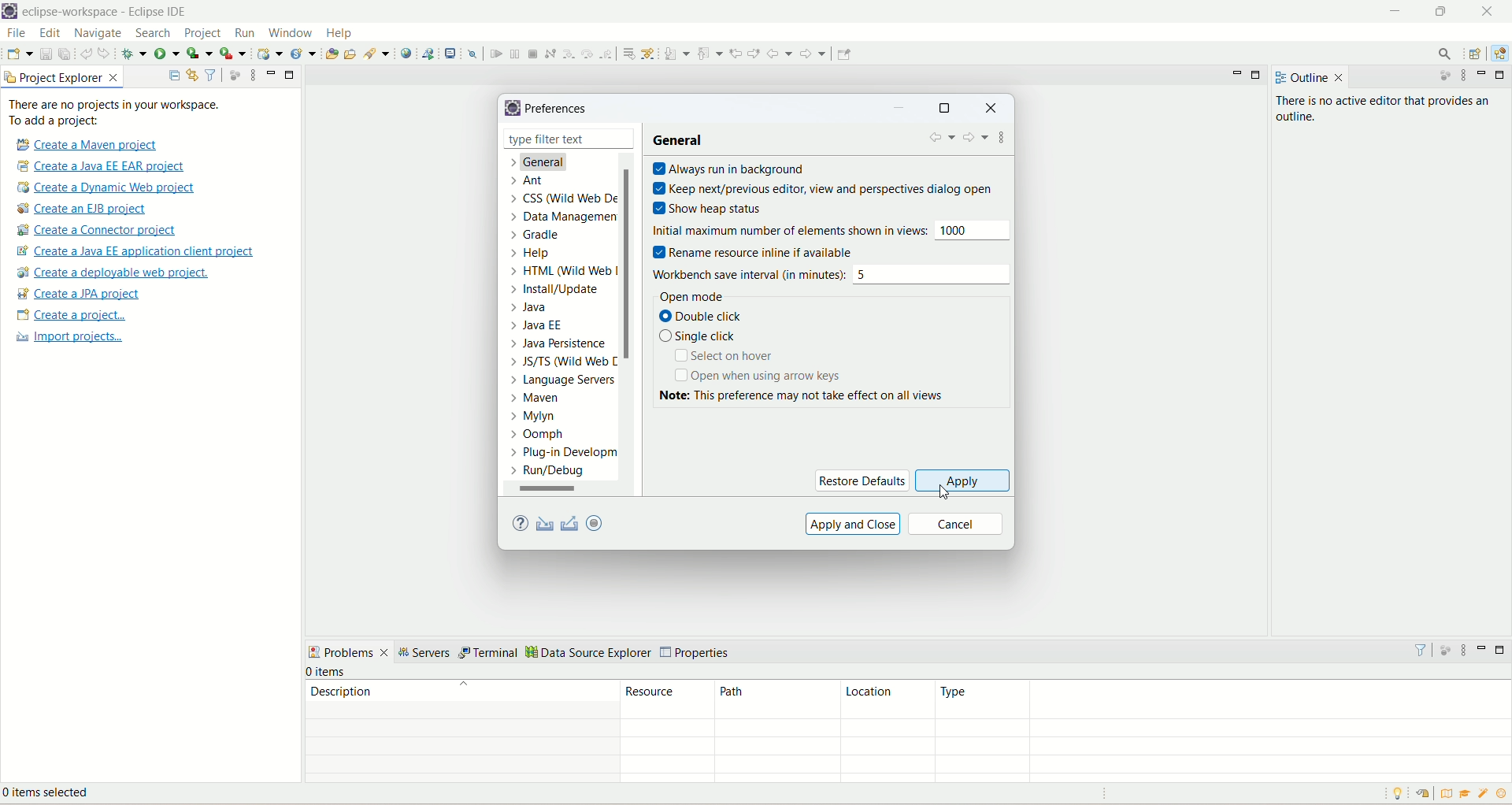 This screenshot has height=805, width=1512. Describe the element at coordinates (676, 54) in the screenshot. I see `next annotation` at that location.